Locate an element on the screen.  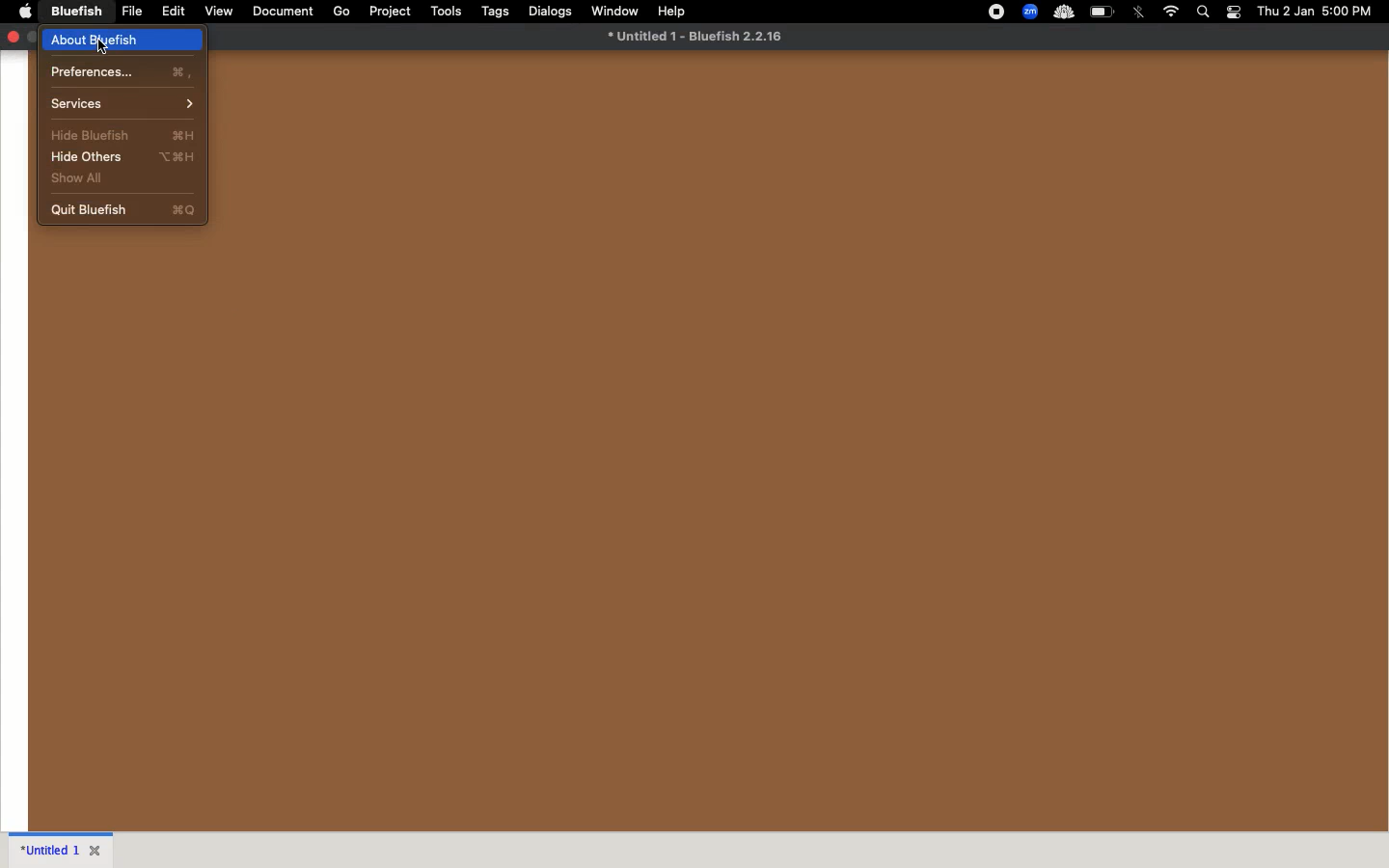
cursor is located at coordinates (99, 47).